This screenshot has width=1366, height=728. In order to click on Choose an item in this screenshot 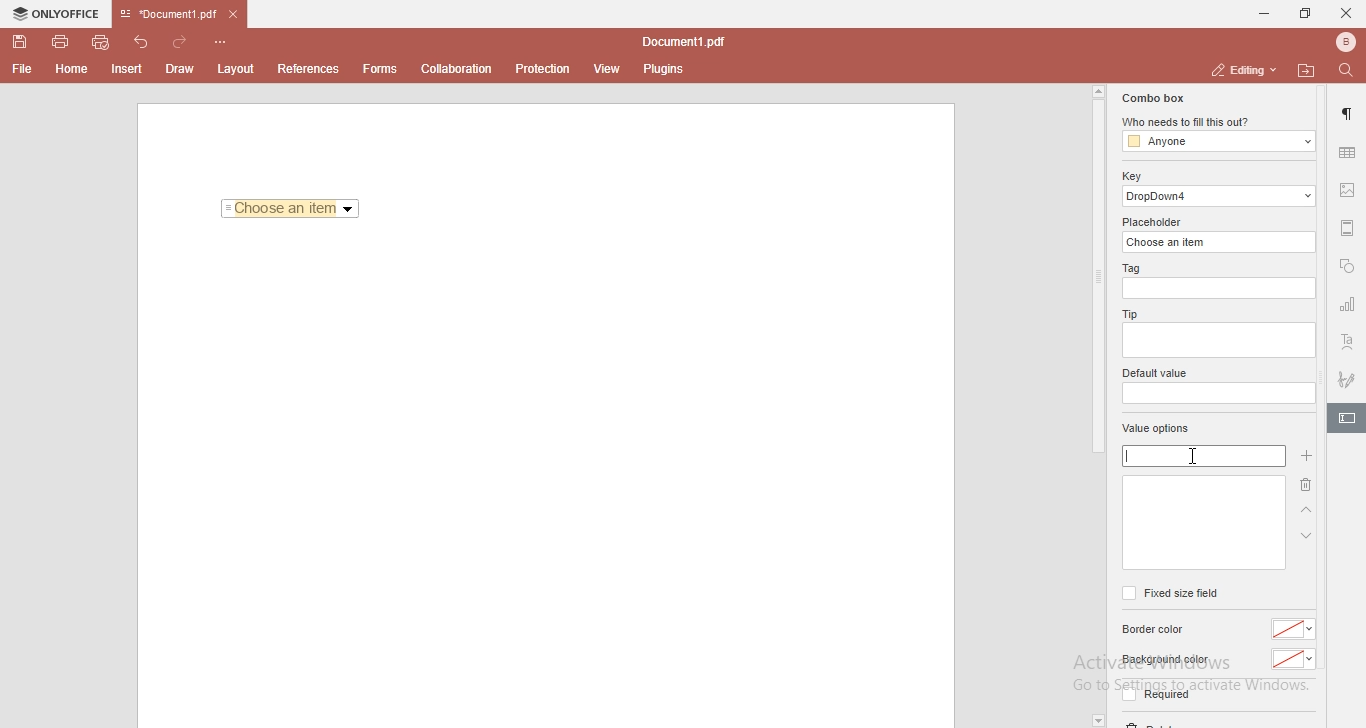, I will do `click(291, 210)`.